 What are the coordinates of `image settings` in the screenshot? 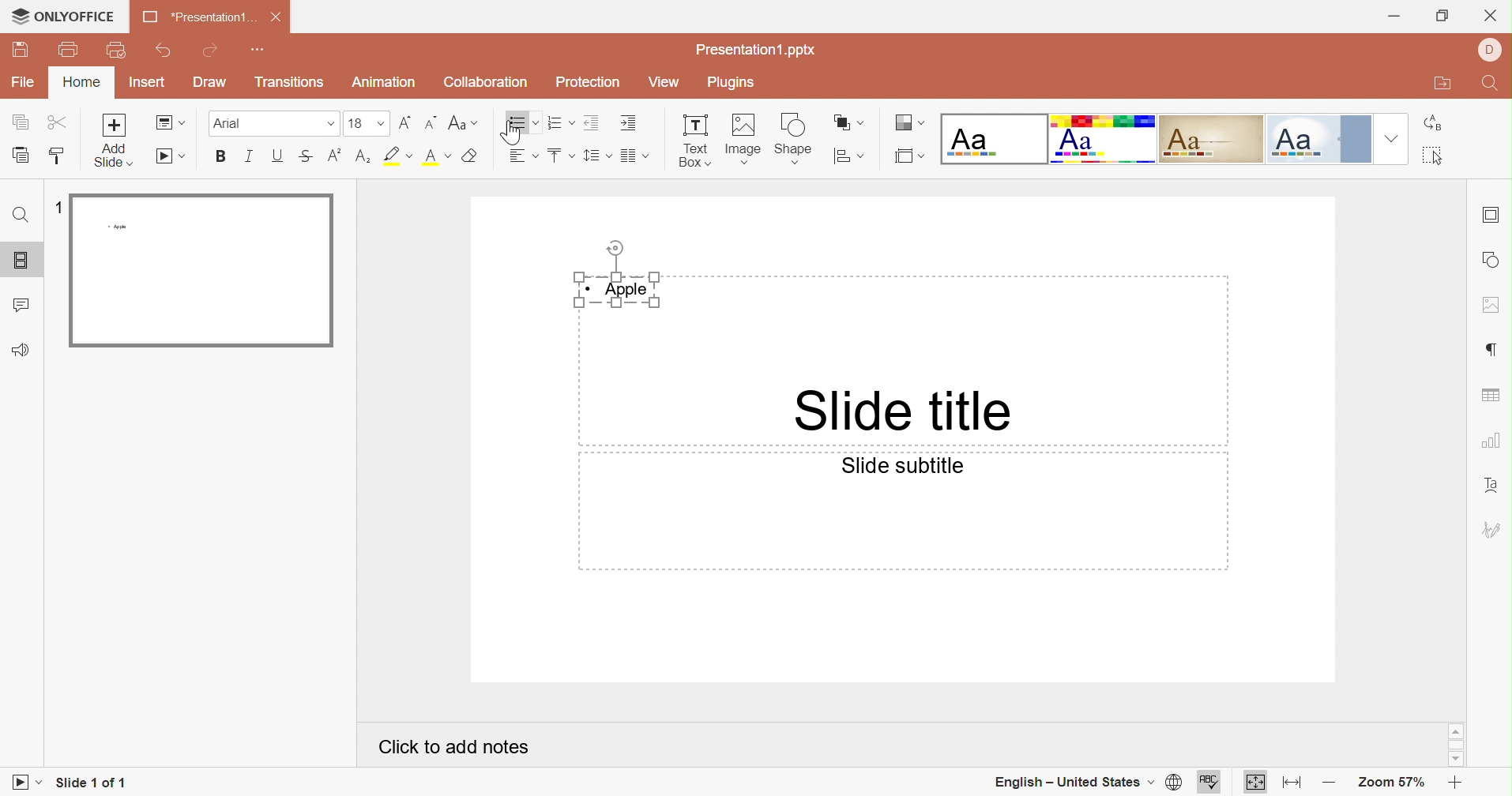 It's located at (1493, 302).